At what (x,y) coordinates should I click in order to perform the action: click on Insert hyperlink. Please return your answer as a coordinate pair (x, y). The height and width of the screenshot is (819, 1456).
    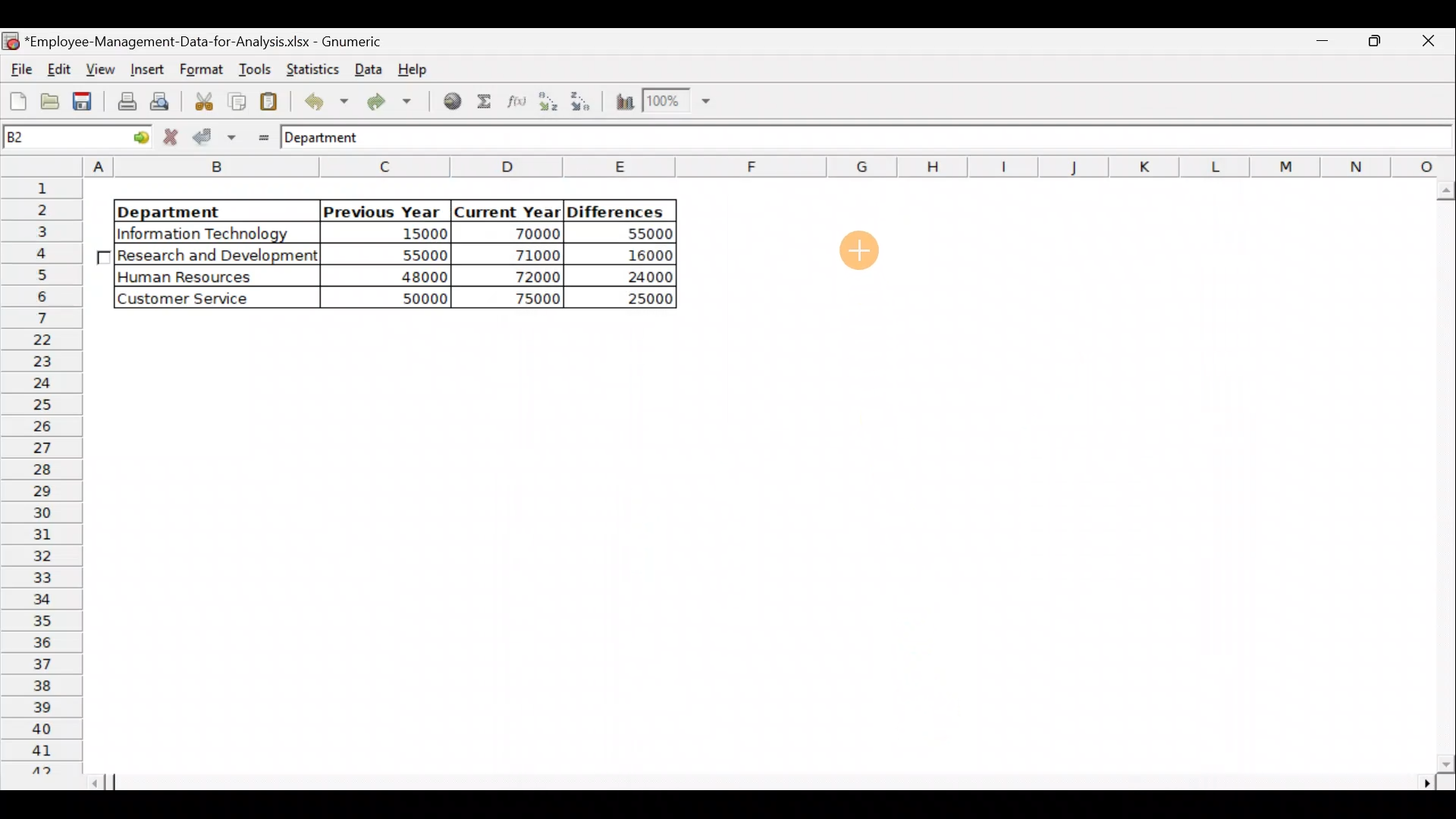
    Looking at the image, I should click on (453, 102).